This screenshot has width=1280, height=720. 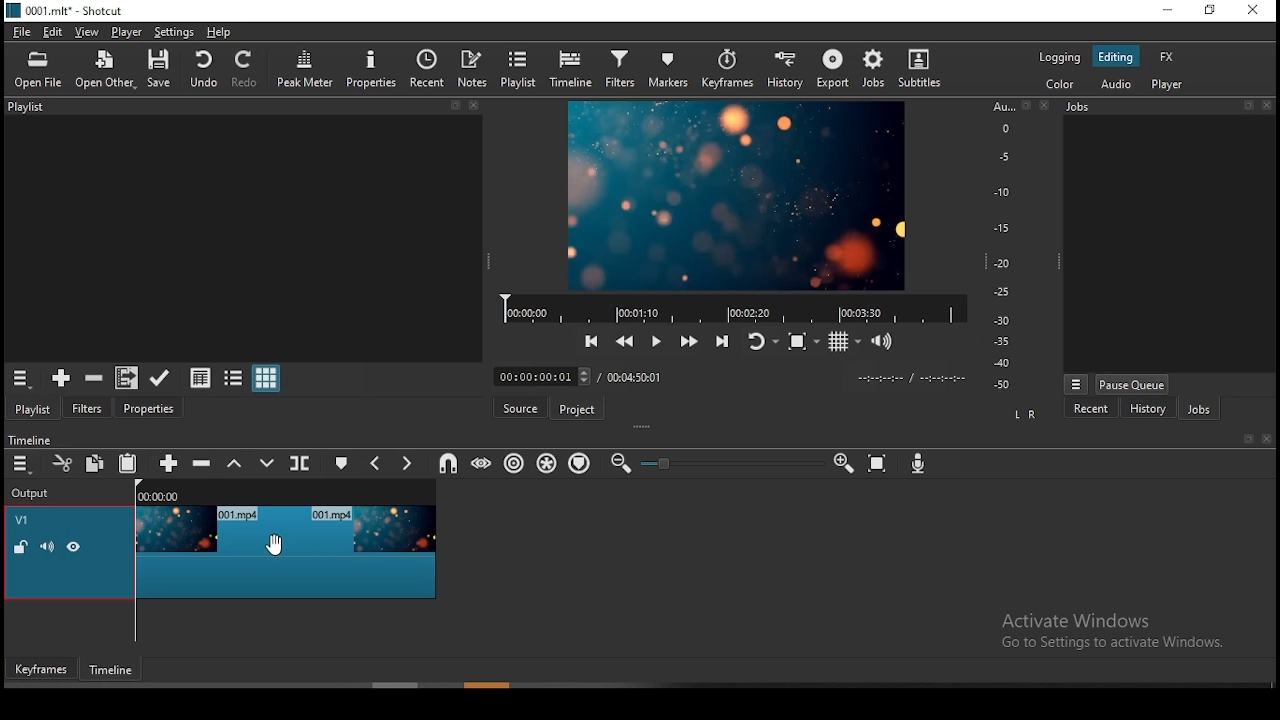 I want to click on zoom timeline out, so click(x=620, y=464).